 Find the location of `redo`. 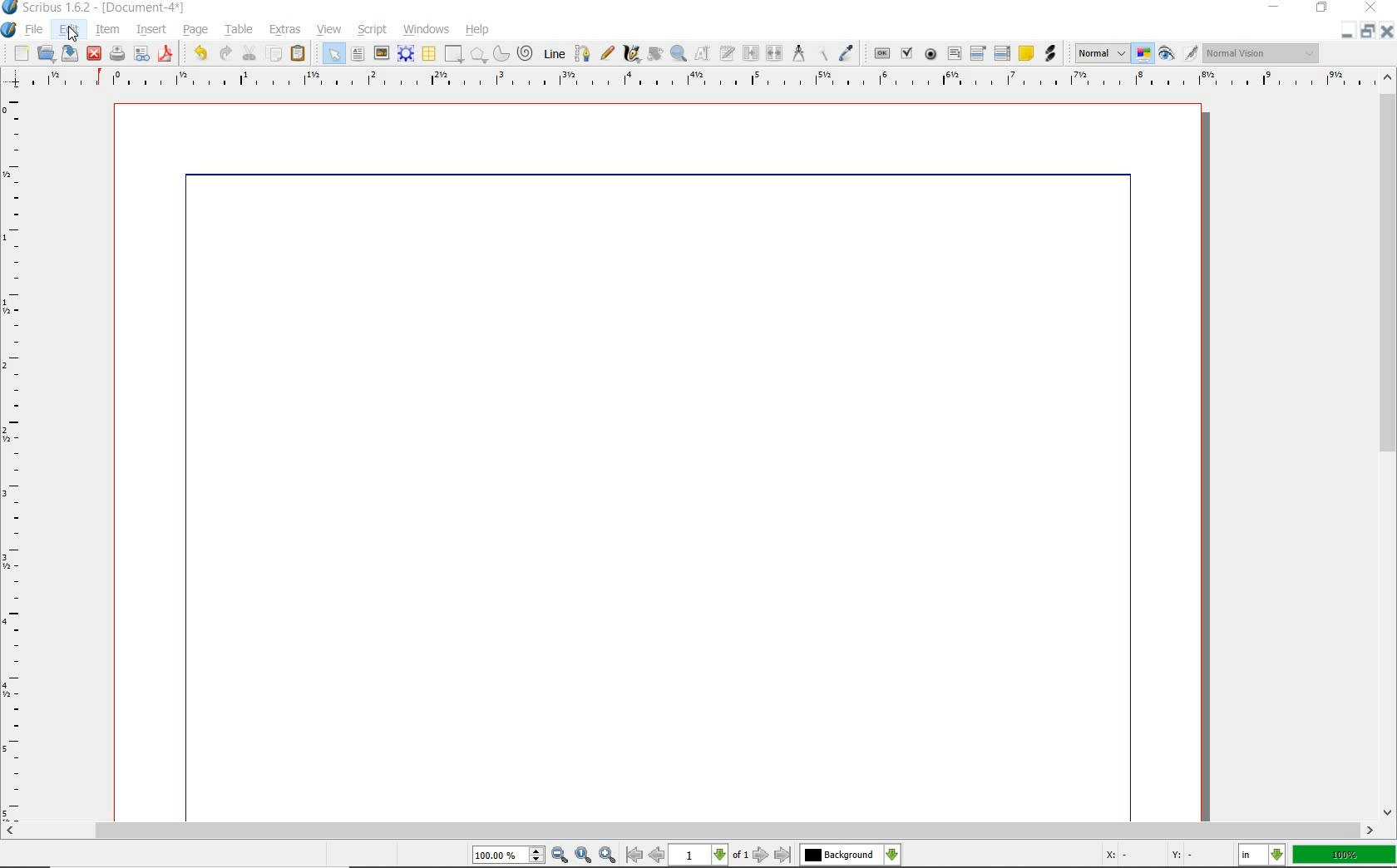

redo is located at coordinates (225, 52).